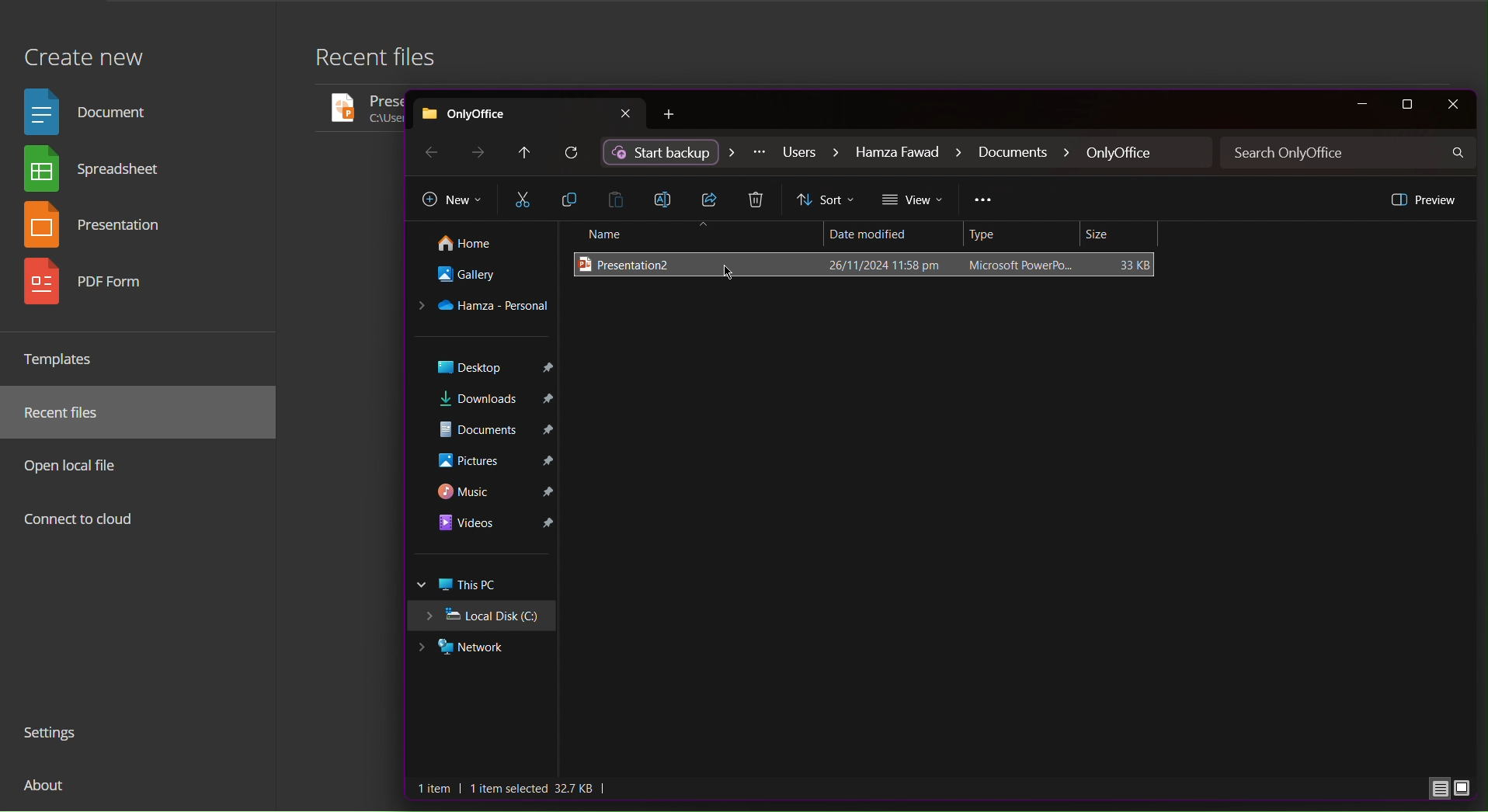  I want to click on OnlyOffice, so click(530, 111).